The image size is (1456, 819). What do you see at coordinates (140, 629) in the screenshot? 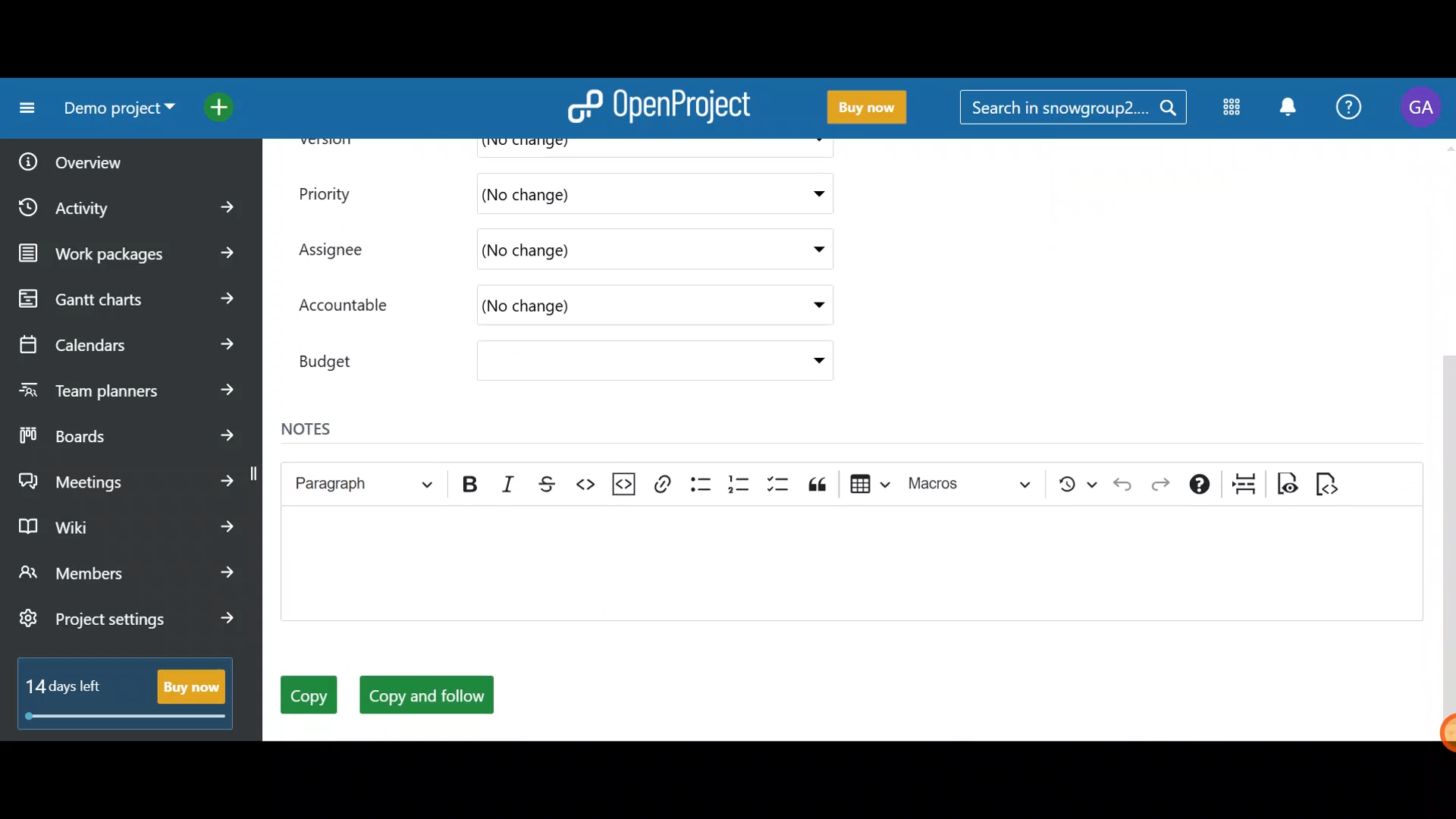
I see `Project settings` at bounding box center [140, 629].